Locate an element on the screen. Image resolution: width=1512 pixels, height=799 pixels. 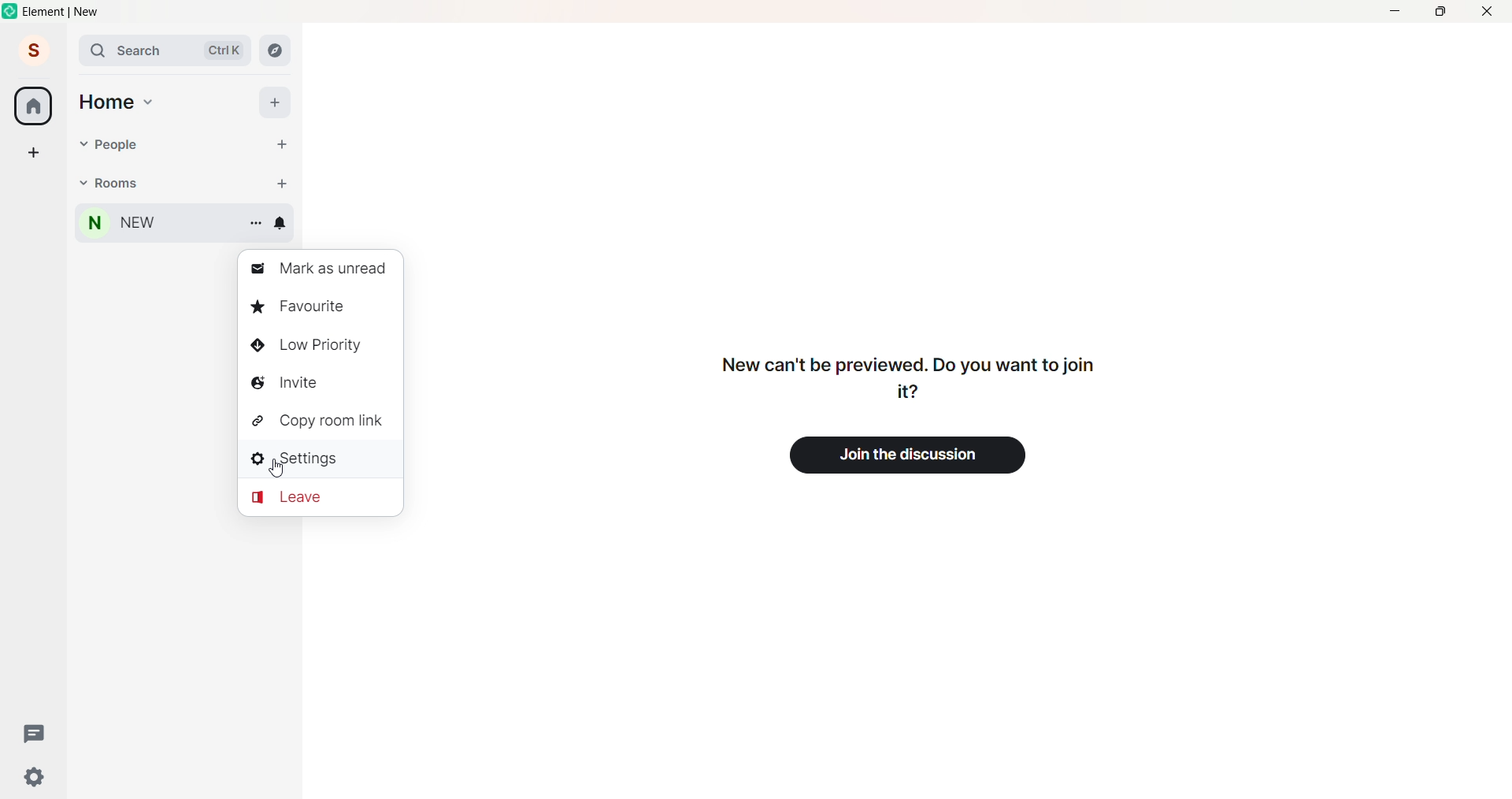
threads is located at coordinates (39, 736).